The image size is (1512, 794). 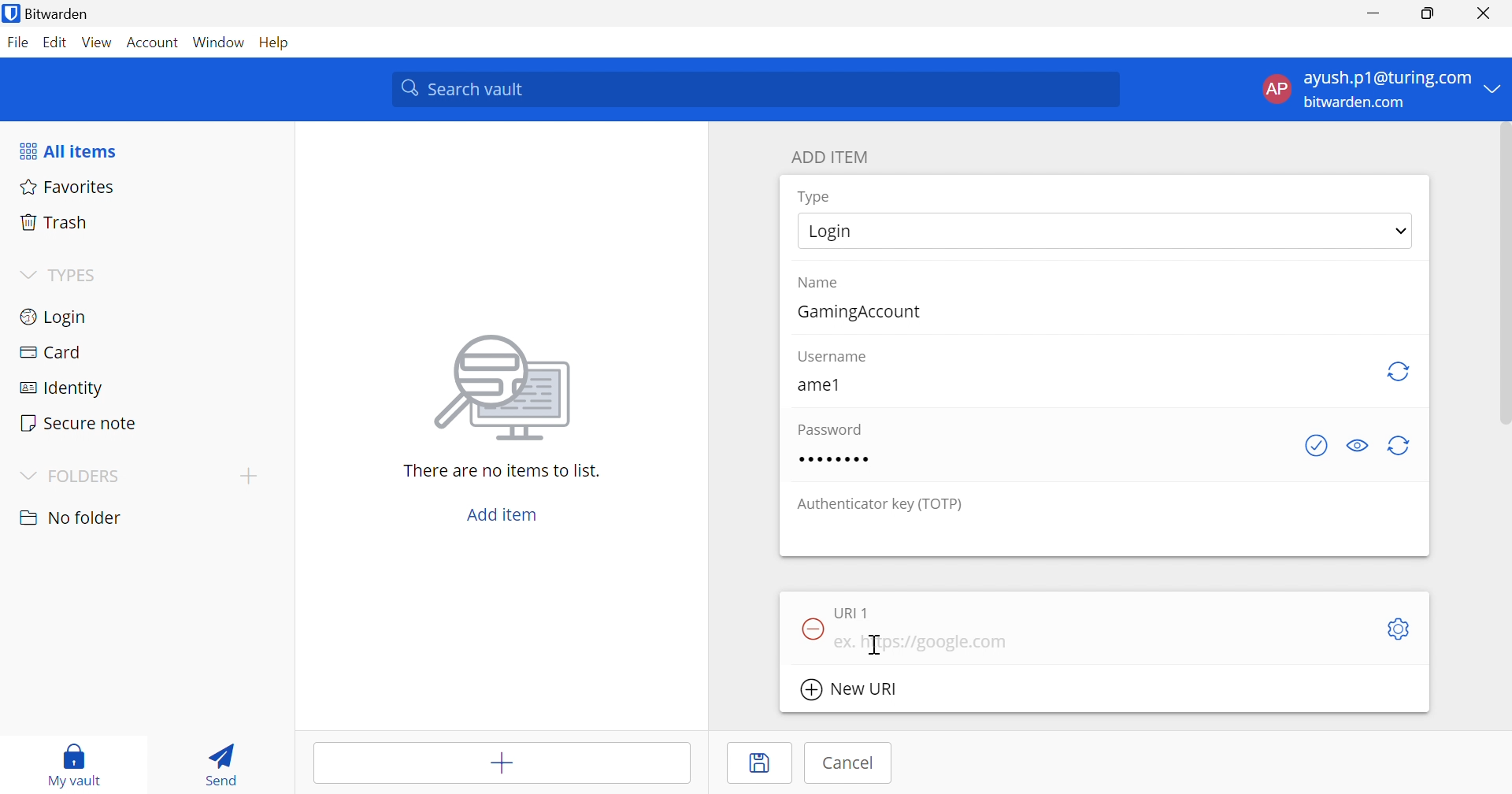 I want to click on AP, so click(x=1277, y=88).